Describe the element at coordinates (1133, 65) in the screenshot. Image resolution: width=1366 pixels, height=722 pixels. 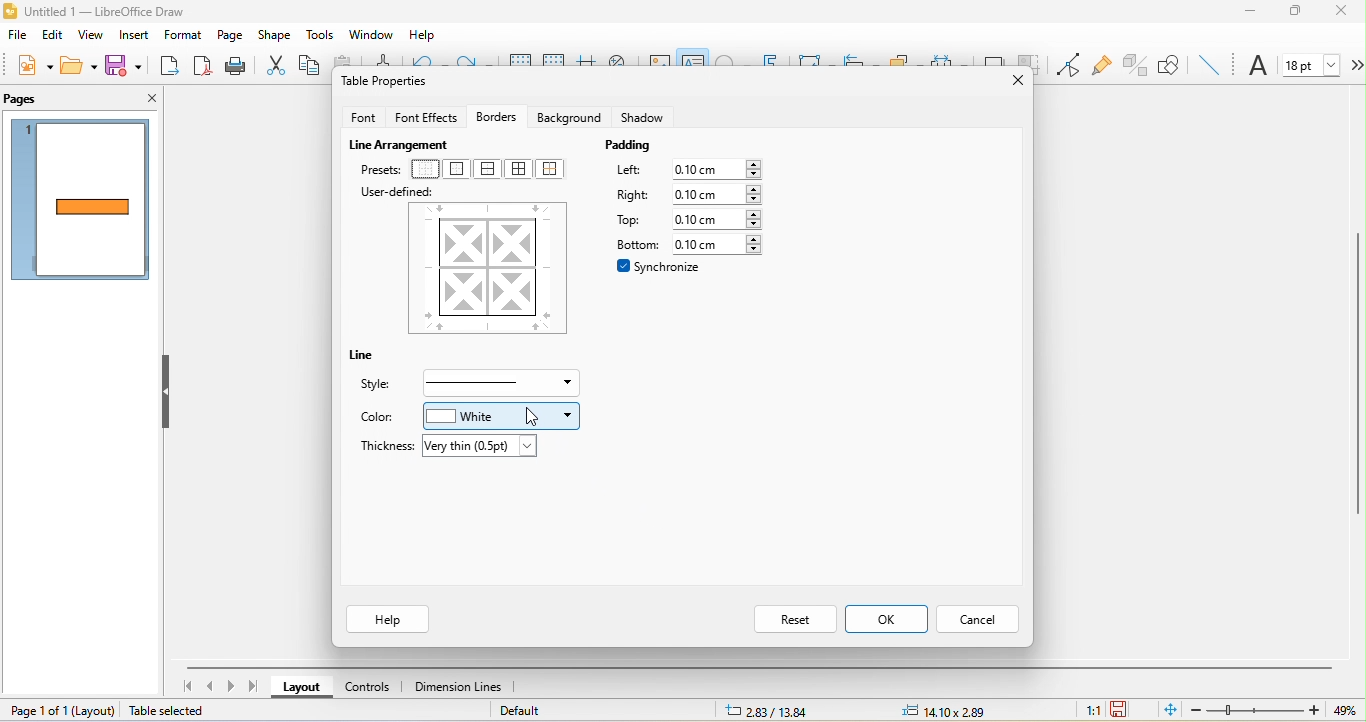
I see `toggle extrusion` at that location.